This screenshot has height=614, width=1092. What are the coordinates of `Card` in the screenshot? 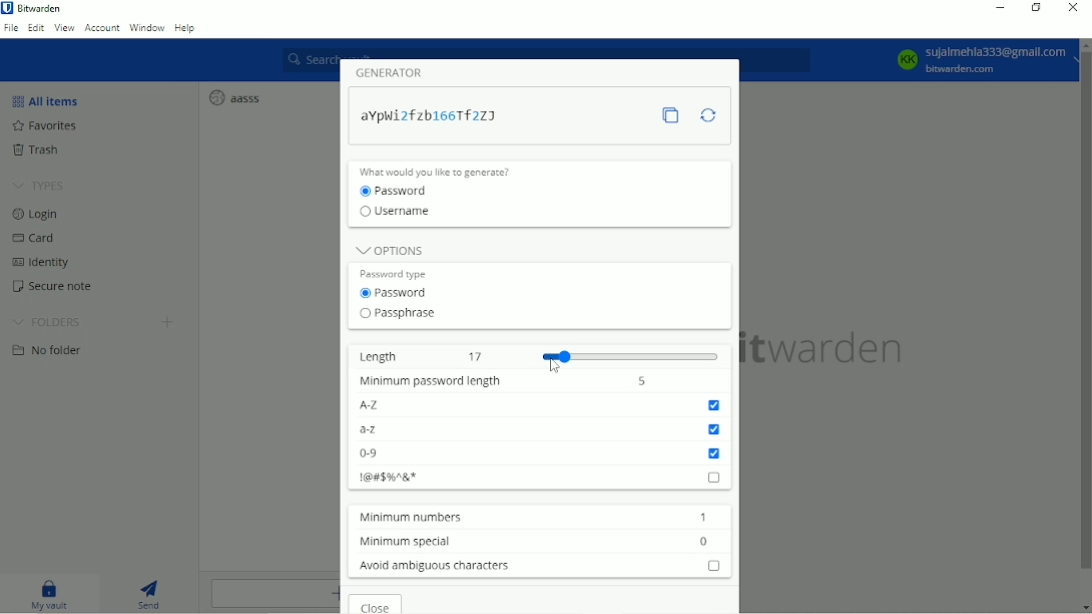 It's located at (35, 238).